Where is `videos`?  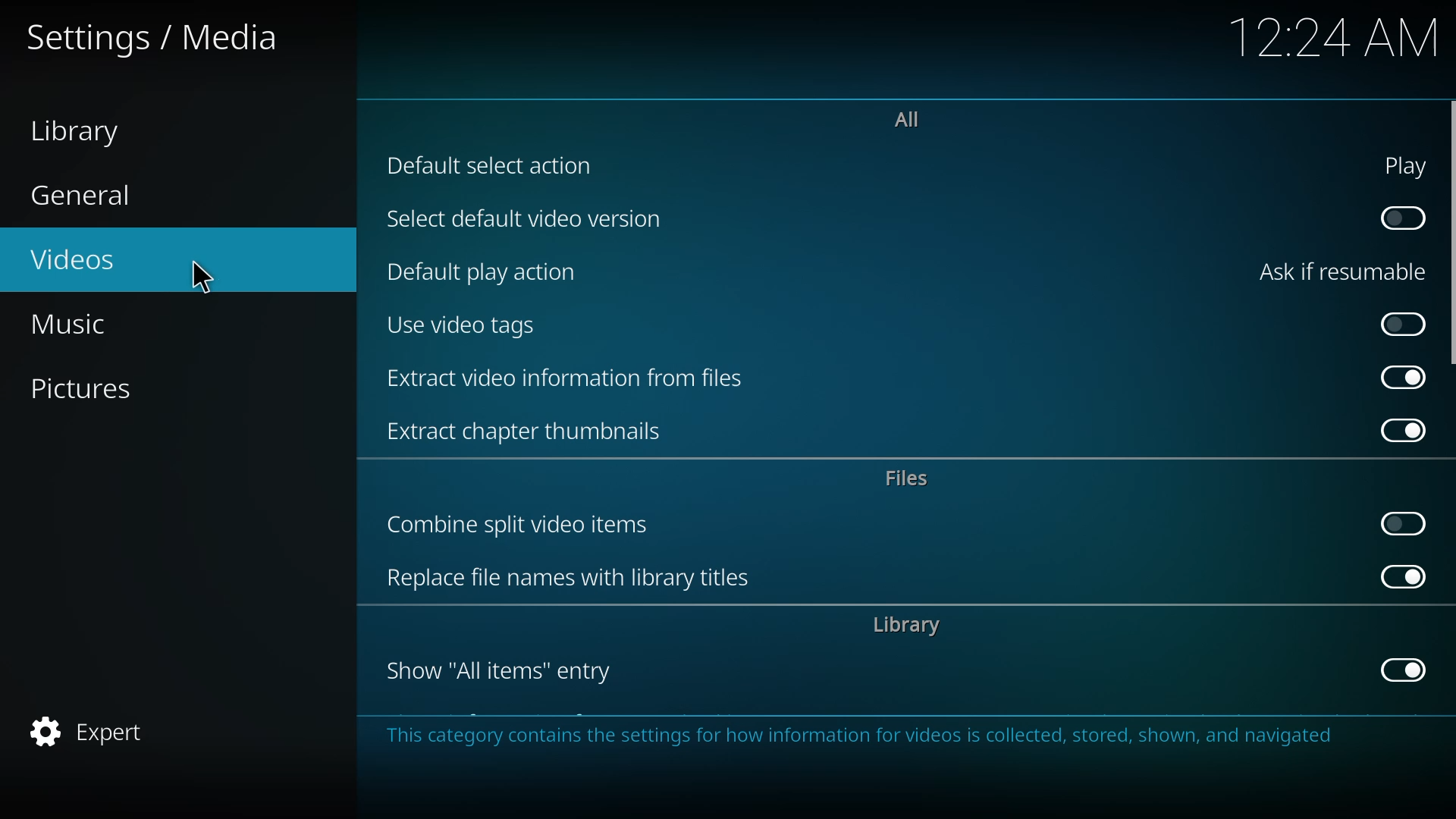 videos is located at coordinates (74, 260).